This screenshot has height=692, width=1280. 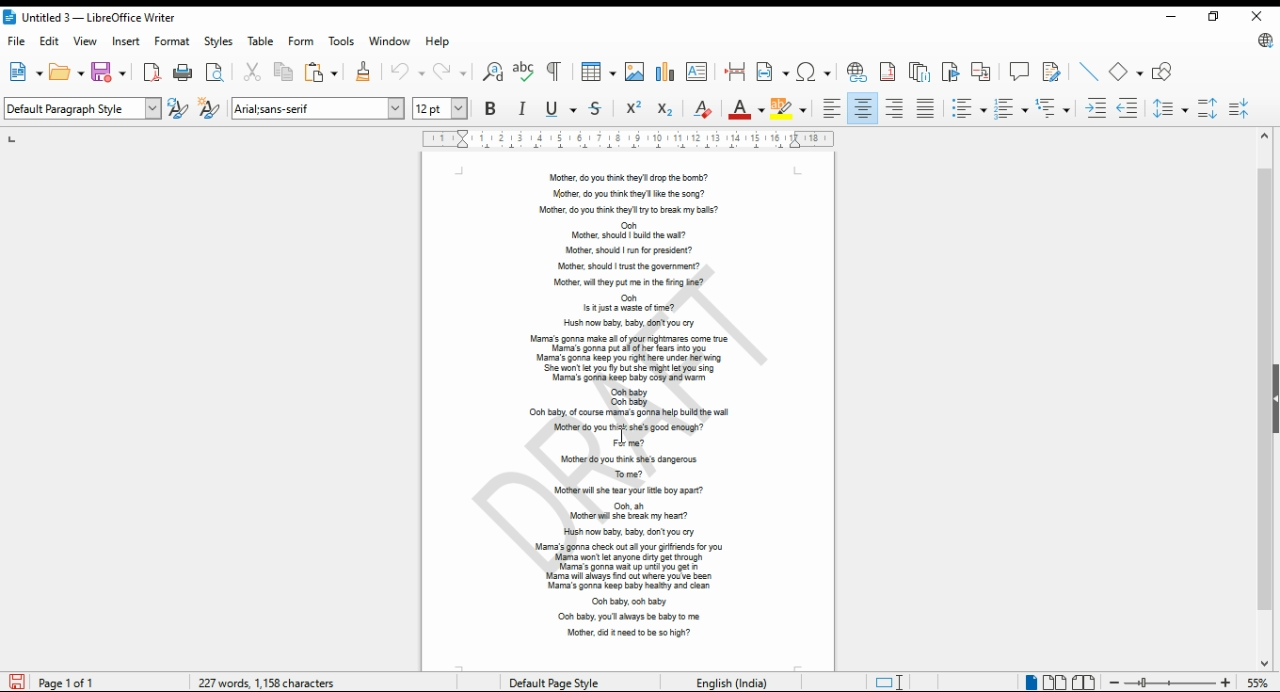 What do you see at coordinates (1260, 18) in the screenshot?
I see `close window` at bounding box center [1260, 18].